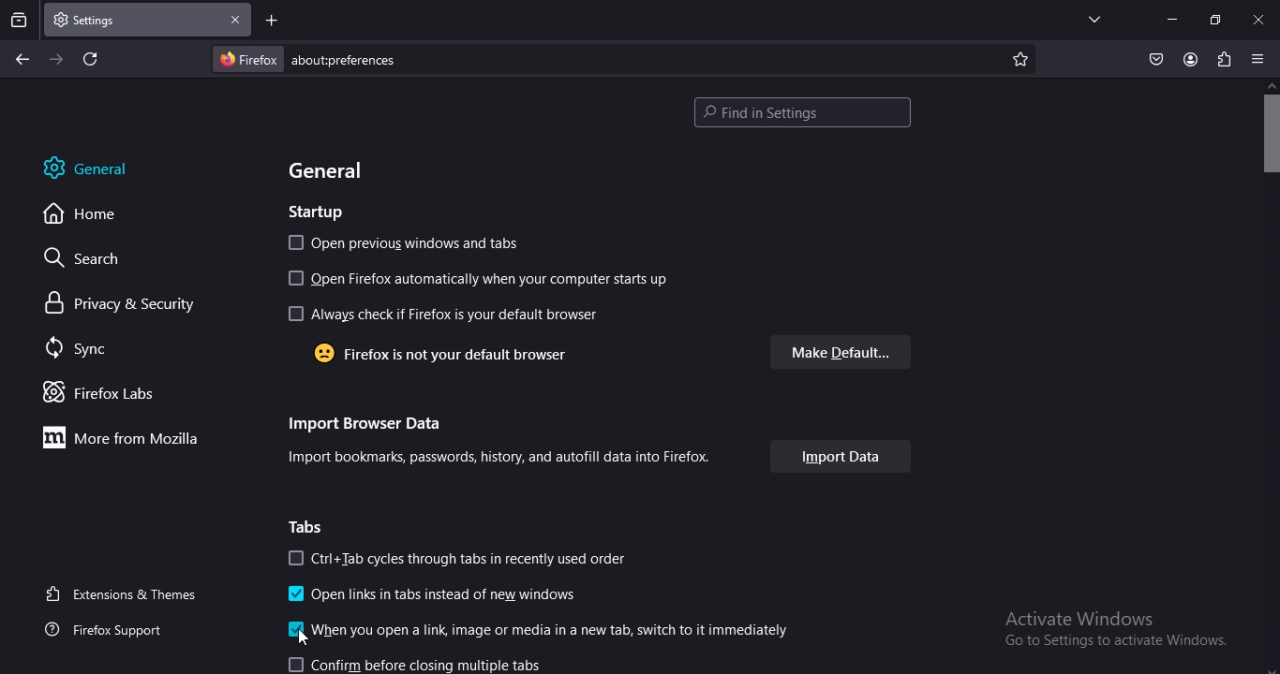 This screenshot has width=1280, height=674. I want to click on privacy & security, so click(123, 304).